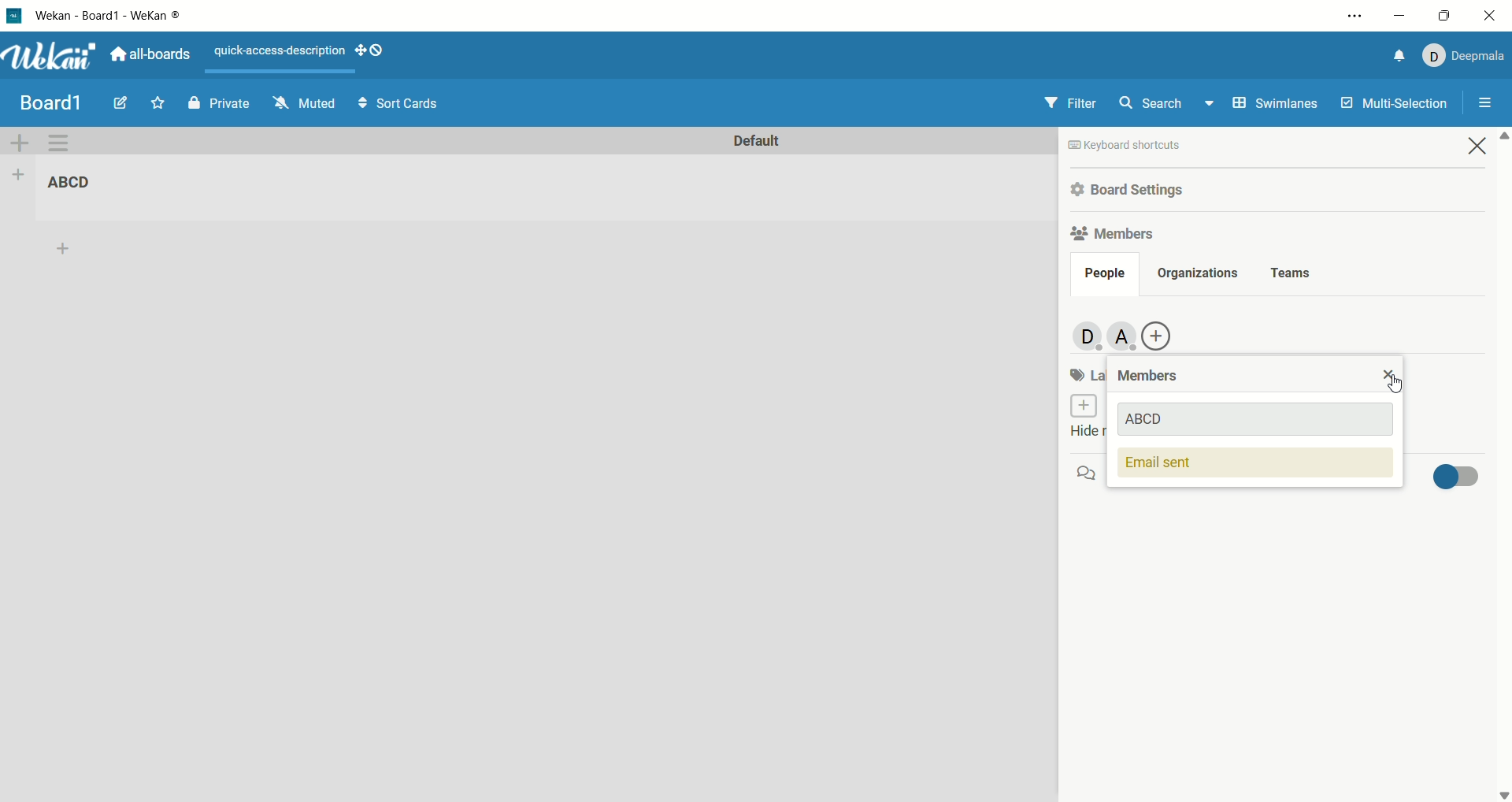  I want to click on add swimlane, so click(20, 144).